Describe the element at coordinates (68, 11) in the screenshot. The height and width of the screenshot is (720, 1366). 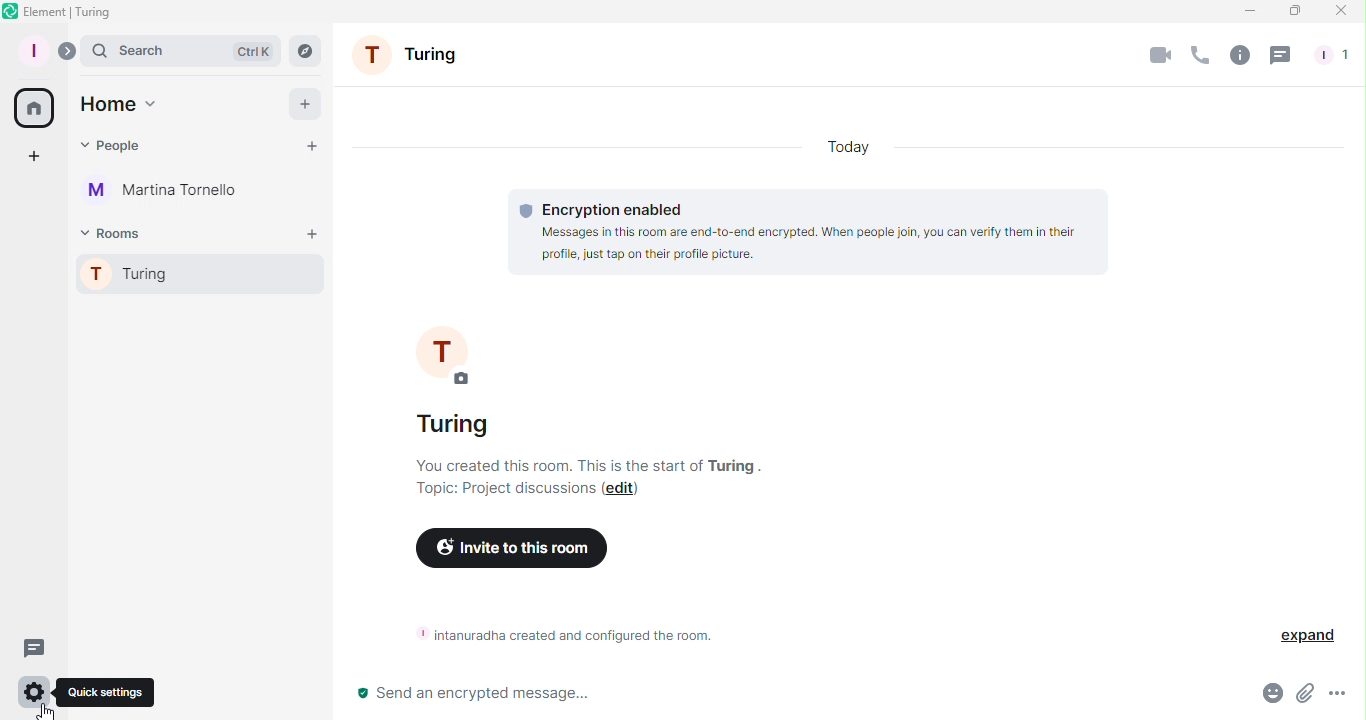
I see `element | turing` at that location.